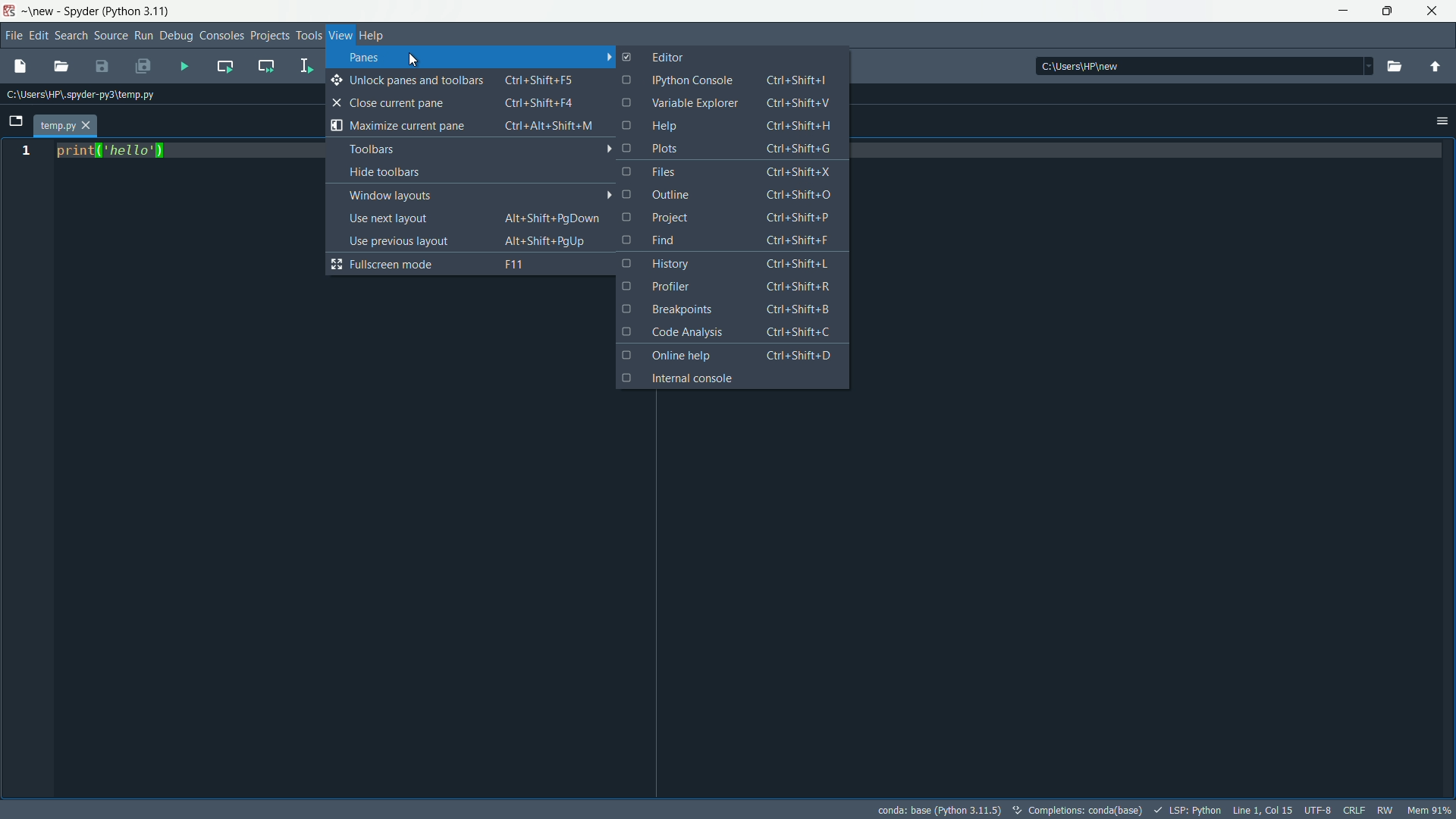 This screenshot has height=819, width=1456. What do you see at coordinates (1080, 810) in the screenshot?
I see `completions: conda(base)` at bounding box center [1080, 810].